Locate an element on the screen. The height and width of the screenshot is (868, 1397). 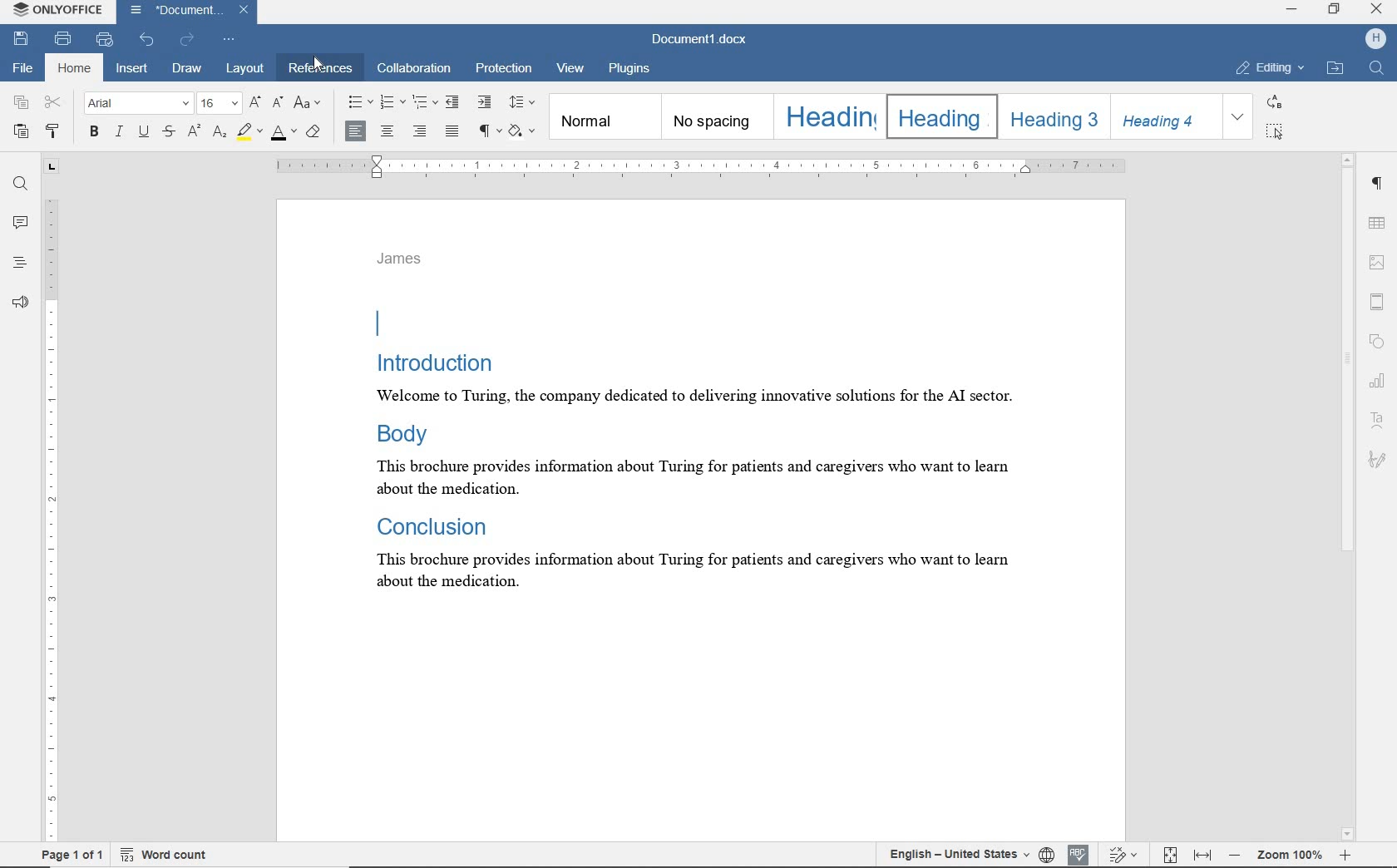
no spacing is located at coordinates (714, 116).